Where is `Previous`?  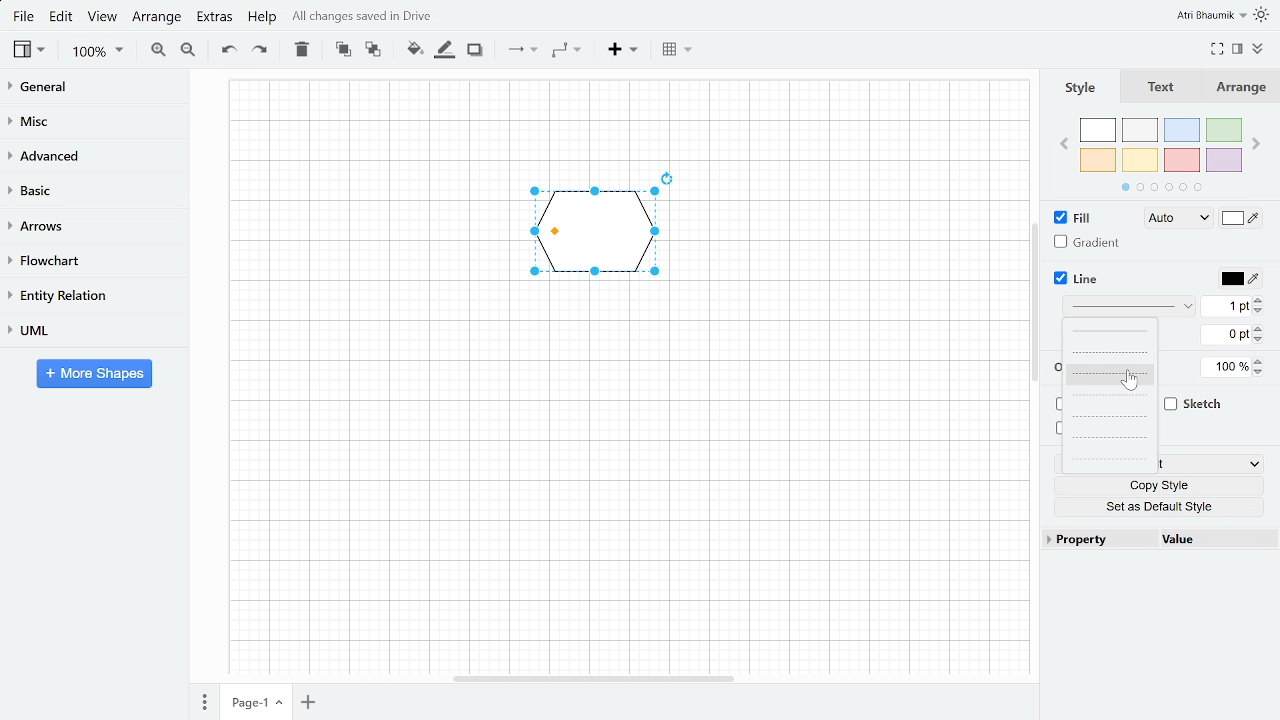 Previous is located at coordinates (1062, 145).